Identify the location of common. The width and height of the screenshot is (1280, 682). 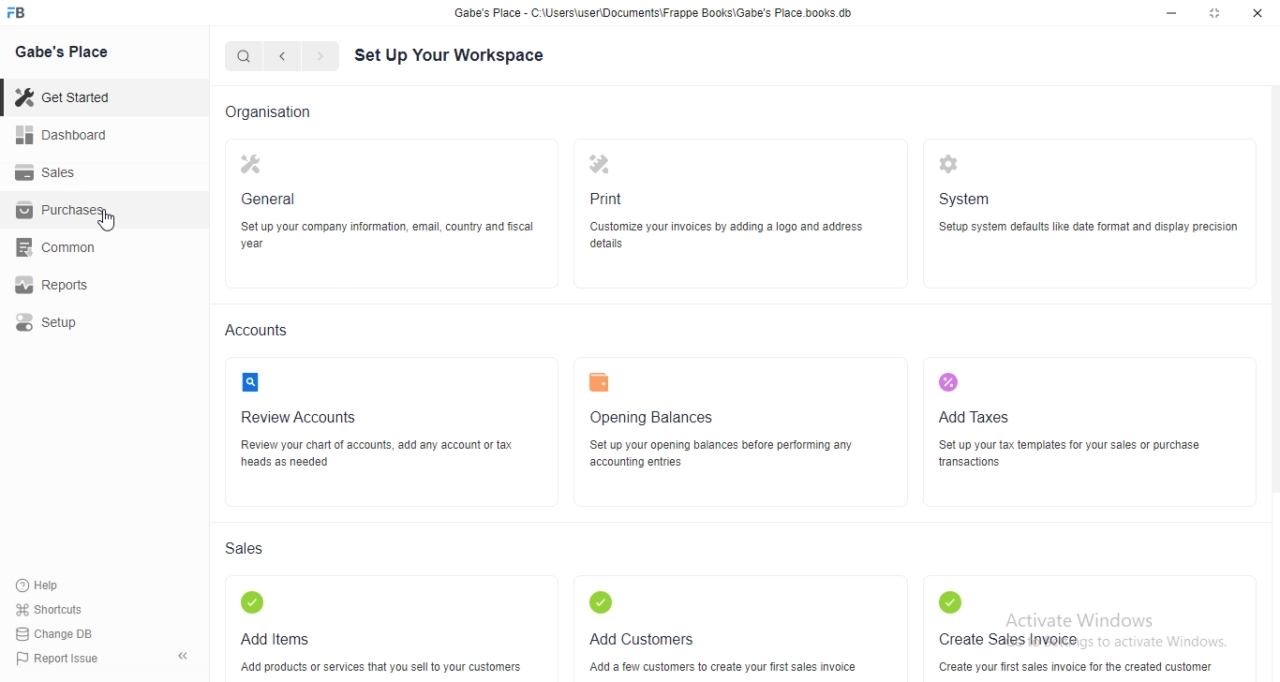
(104, 247).